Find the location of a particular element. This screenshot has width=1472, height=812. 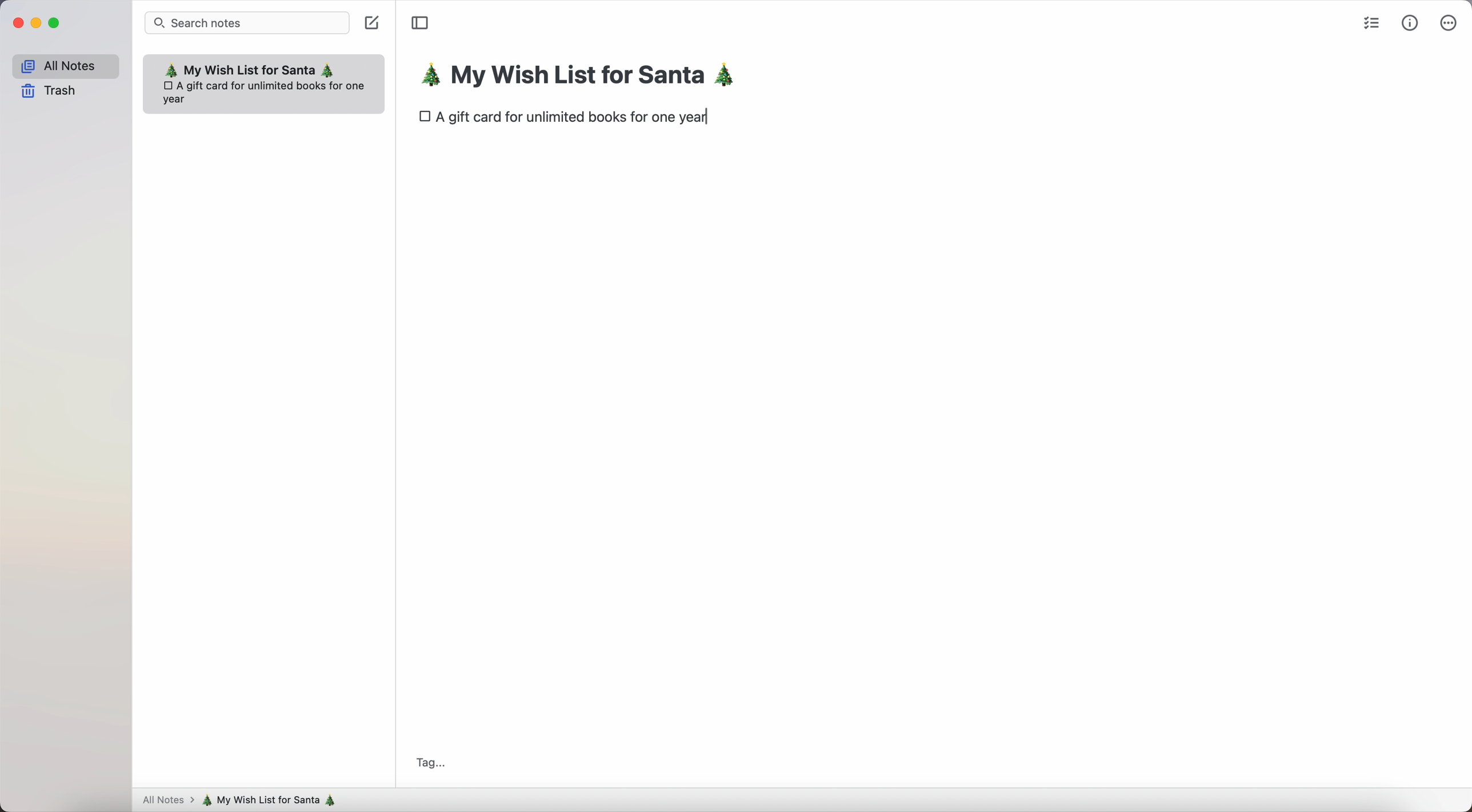

trash is located at coordinates (50, 92).